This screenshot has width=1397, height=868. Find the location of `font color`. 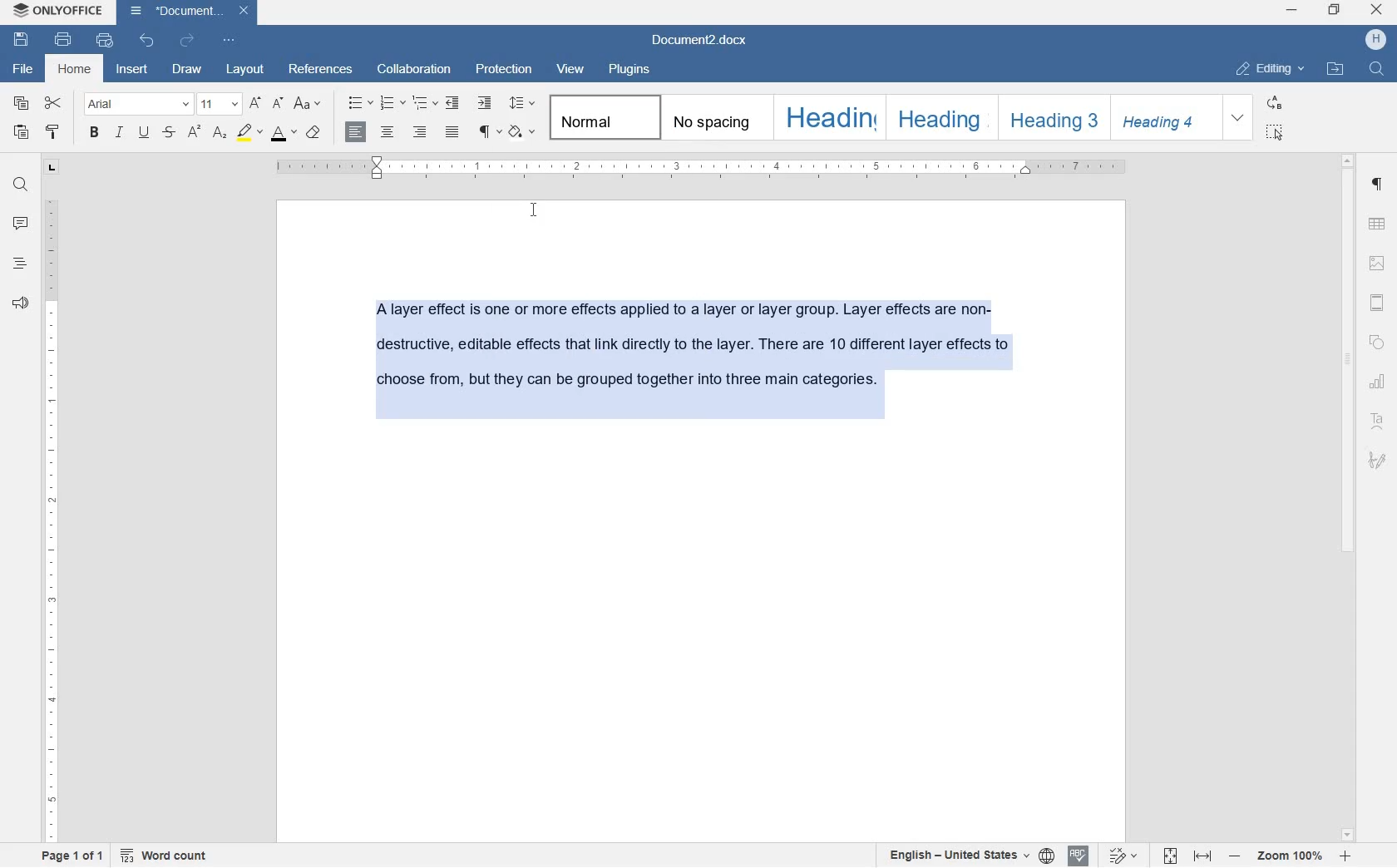

font color is located at coordinates (283, 134).